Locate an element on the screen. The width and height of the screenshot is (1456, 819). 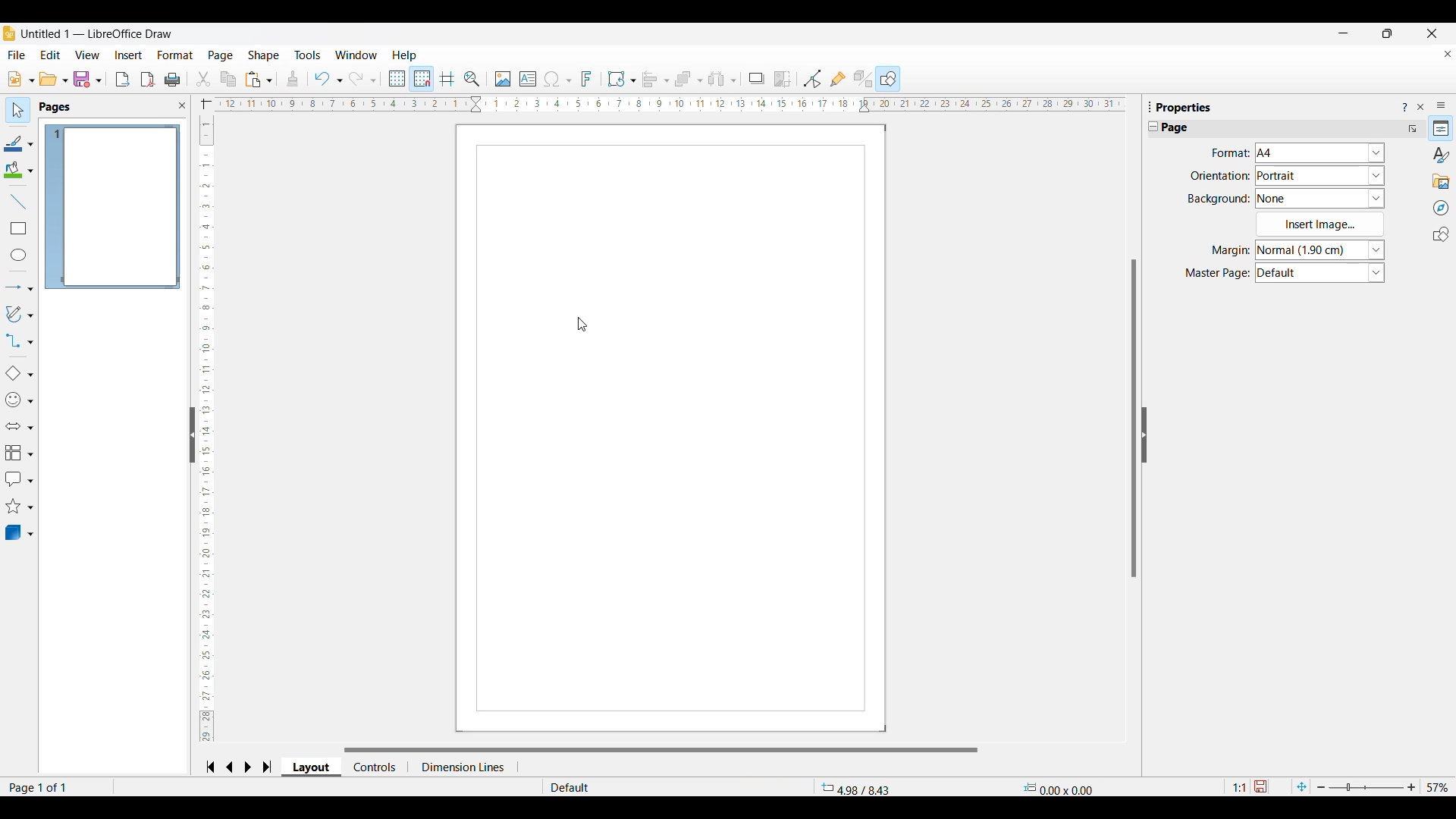
Redo is located at coordinates (363, 79).